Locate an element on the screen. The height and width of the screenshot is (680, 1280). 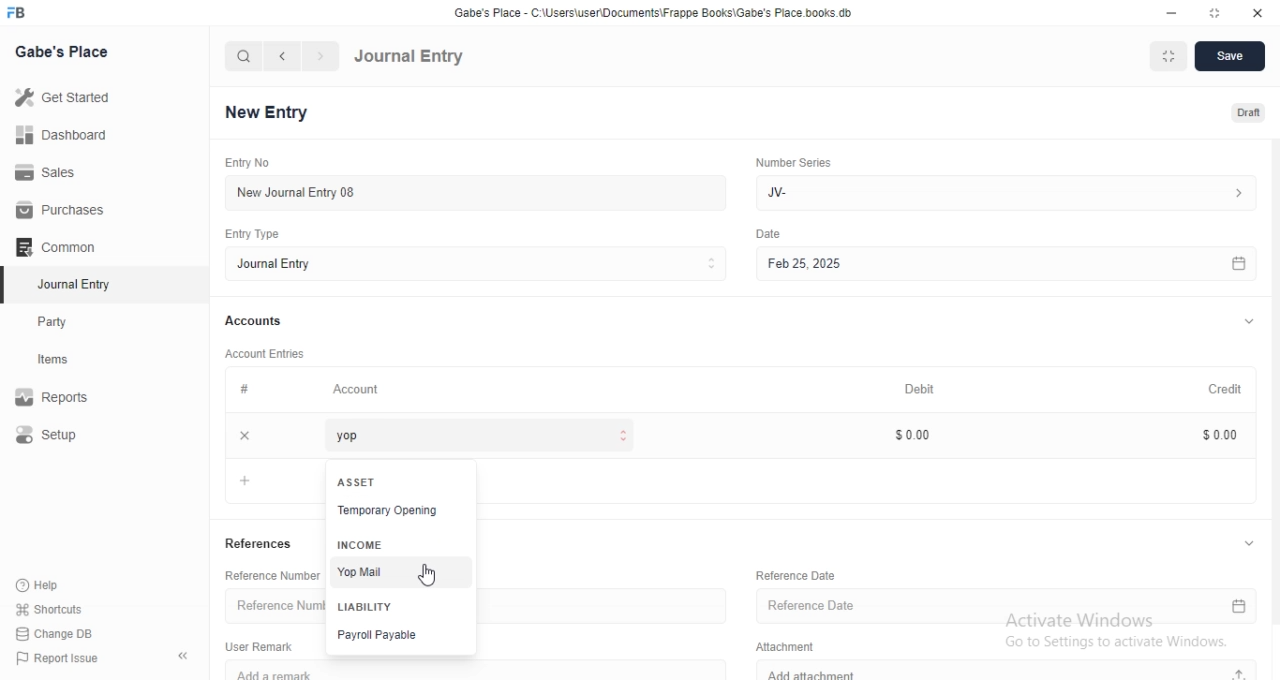
Account Entries is located at coordinates (267, 354).